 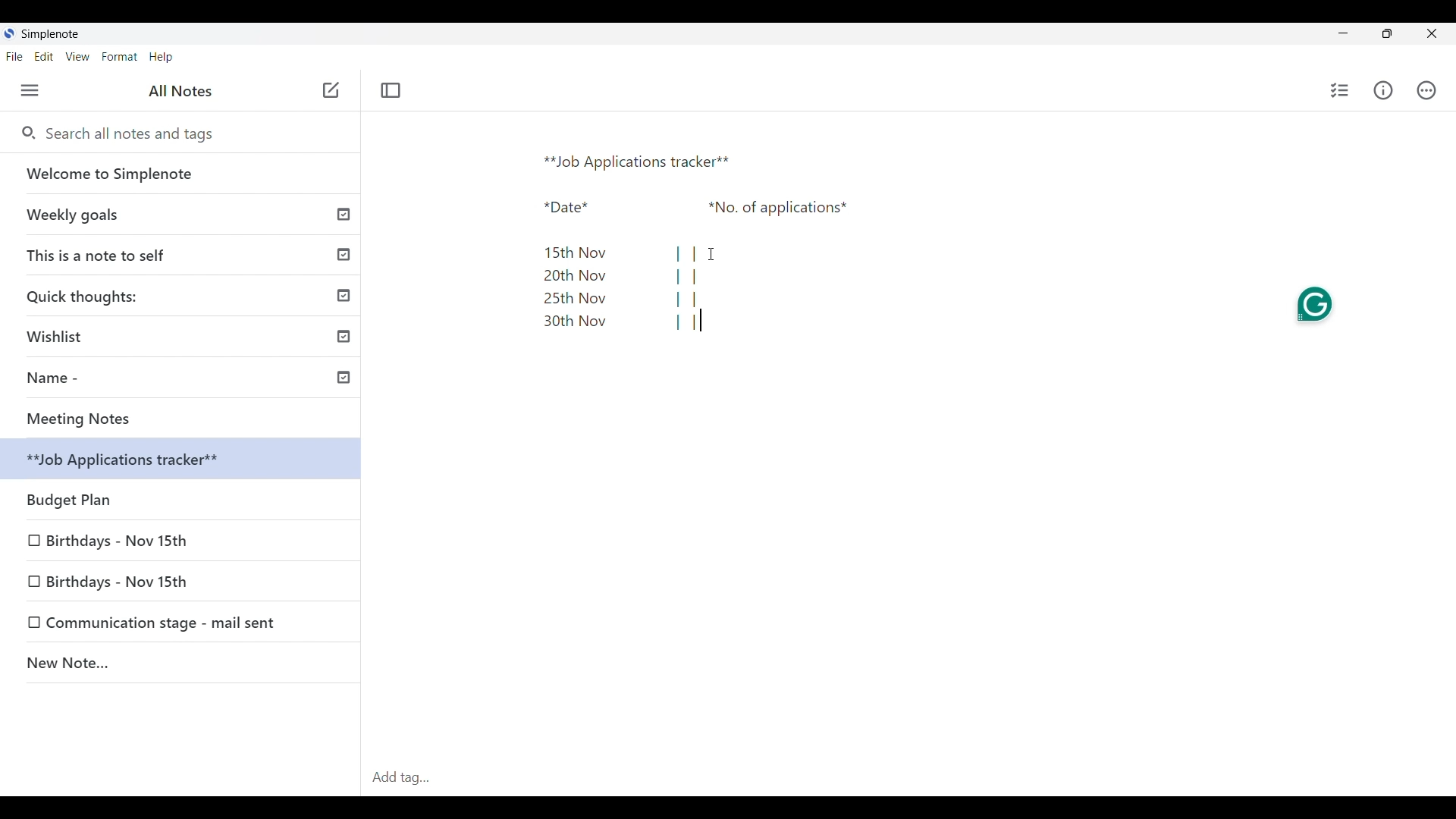 What do you see at coordinates (1313, 306) in the screenshot?
I see `Grammarly extension on` at bounding box center [1313, 306].